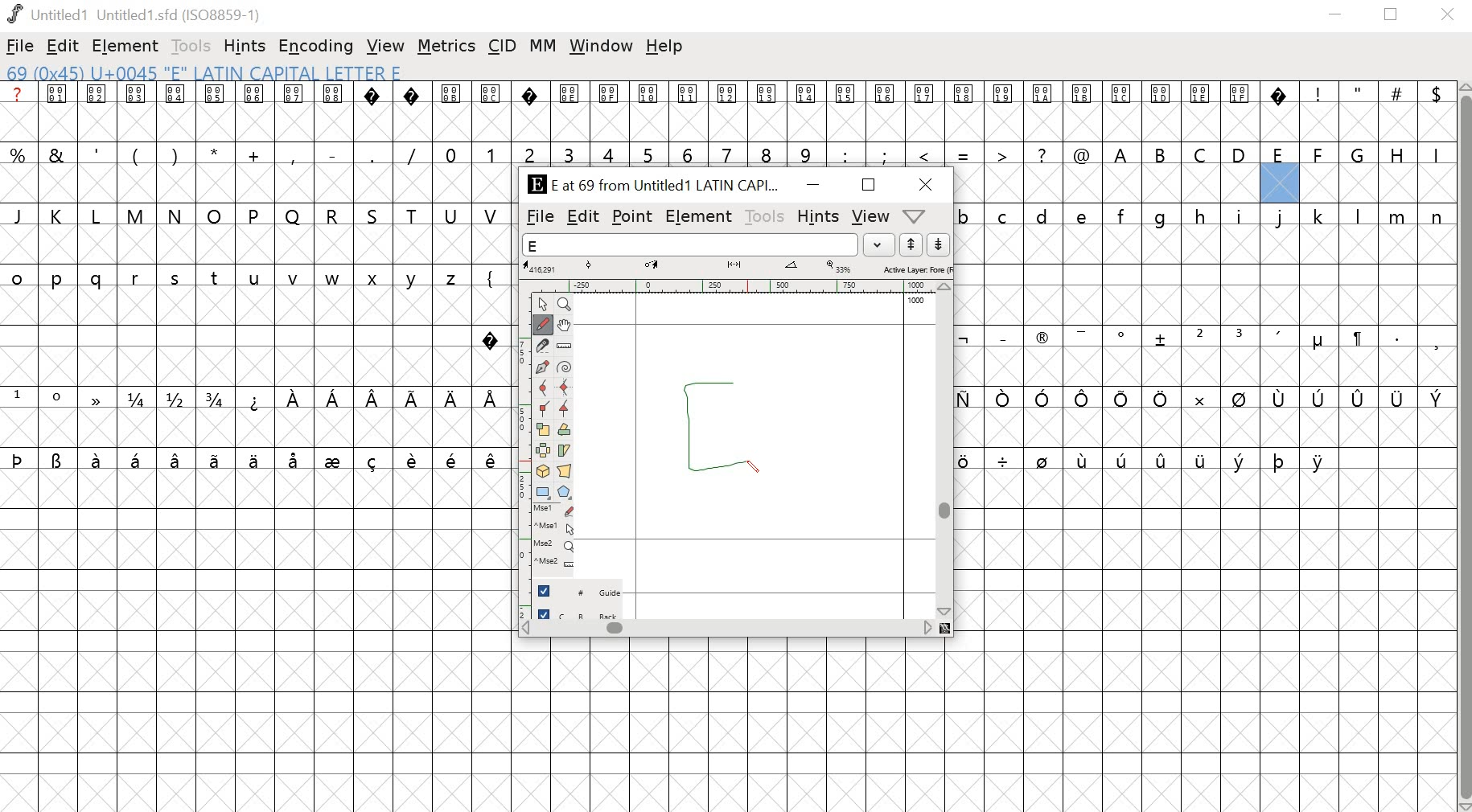  Describe the element at coordinates (1278, 153) in the screenshot. I see `uppercase alphabets` at that location.